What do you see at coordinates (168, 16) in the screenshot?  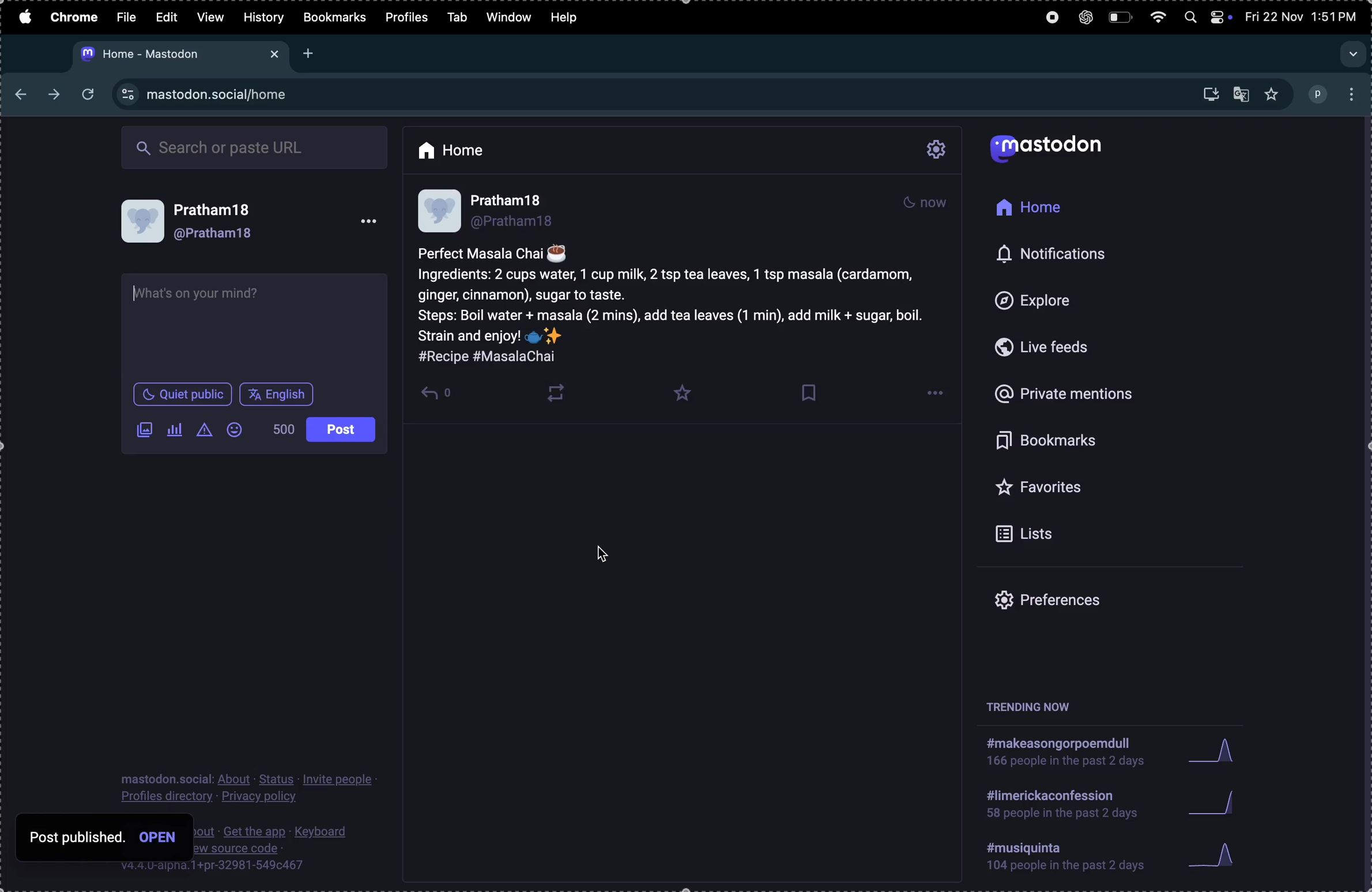 I see `edit` at bounding box center [168, 16].